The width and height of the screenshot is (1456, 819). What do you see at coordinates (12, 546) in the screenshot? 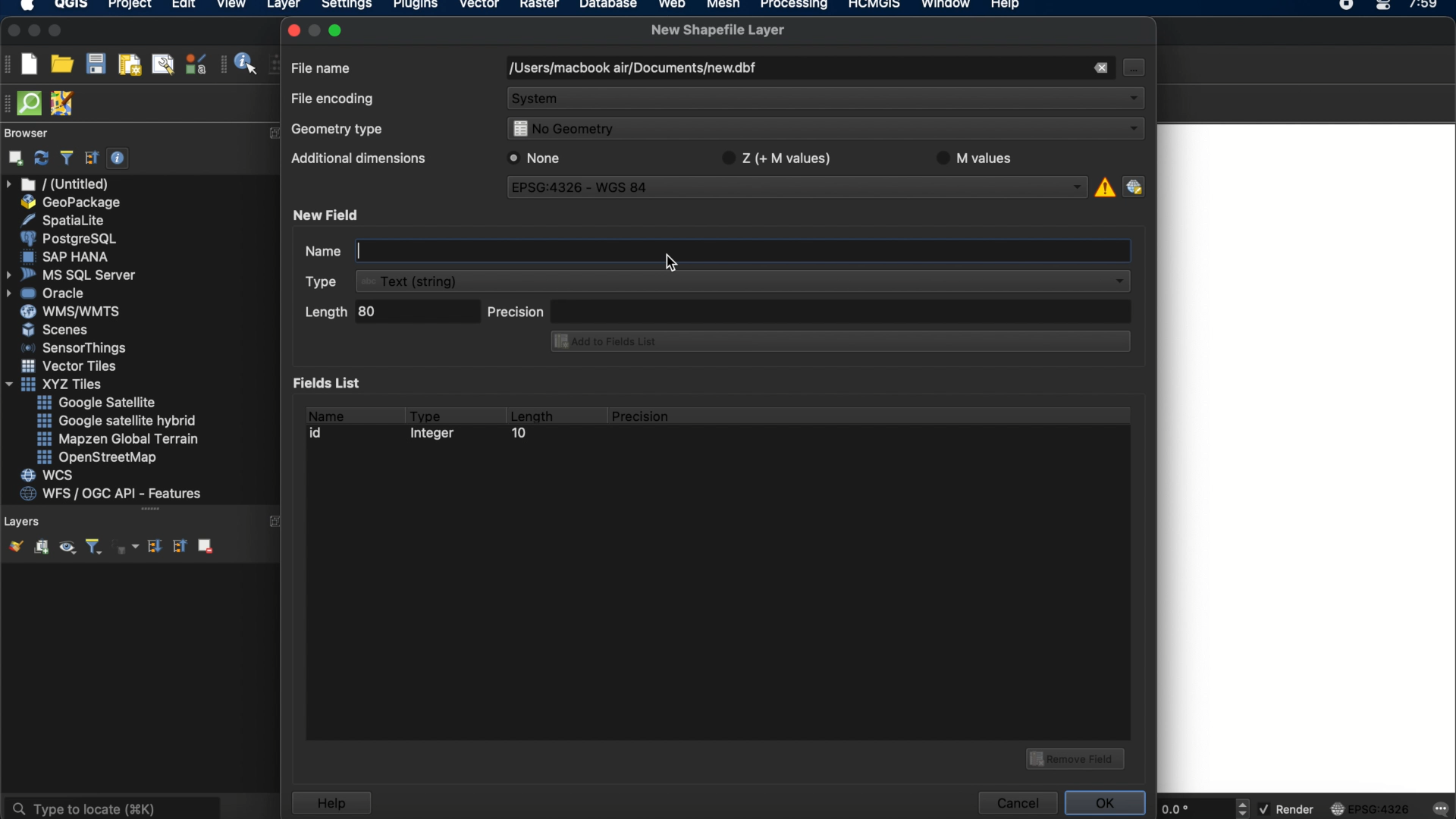
I see `open the layer` at bounding box center [12, 546].